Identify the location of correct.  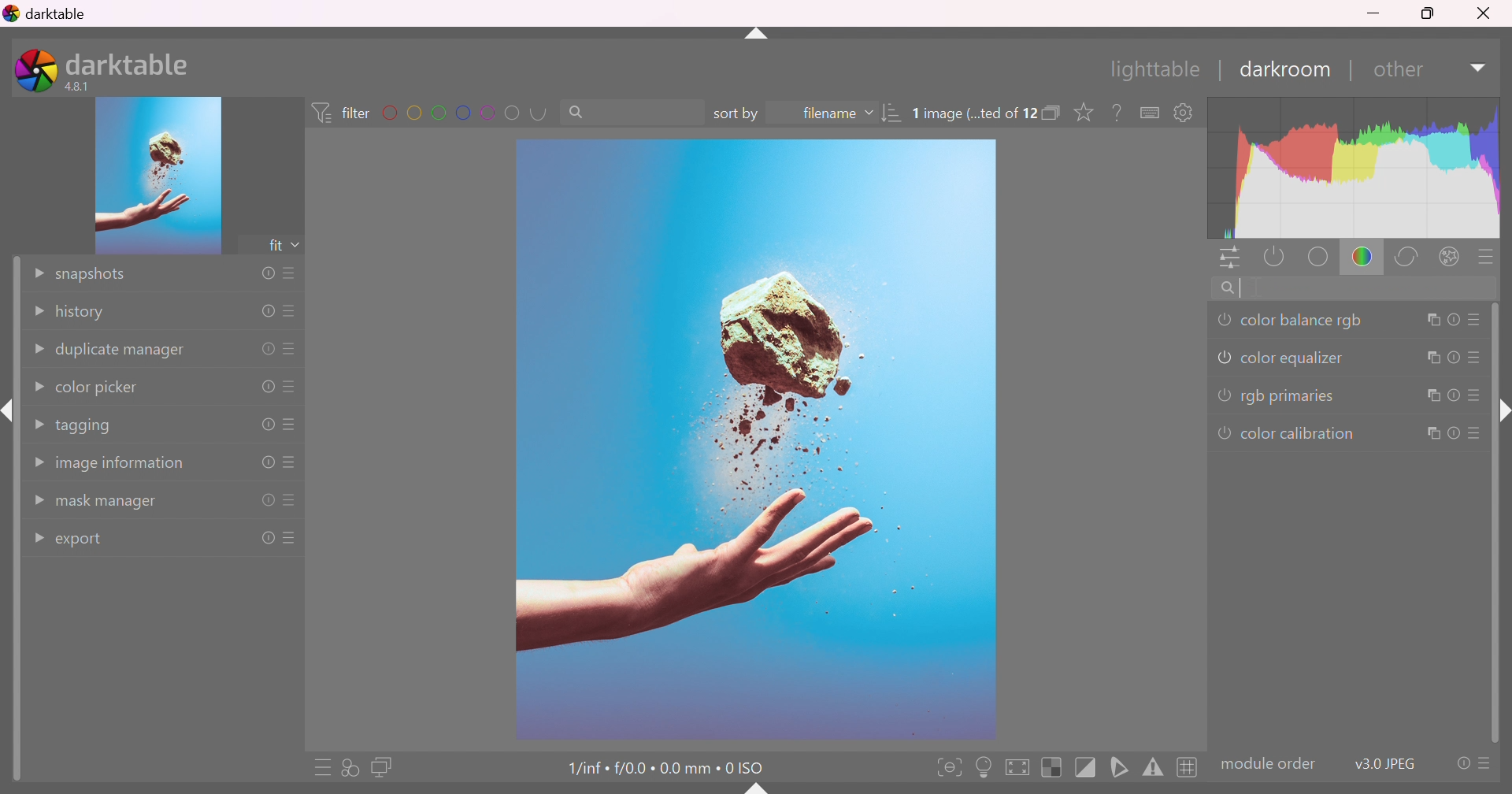
(1410, 258).